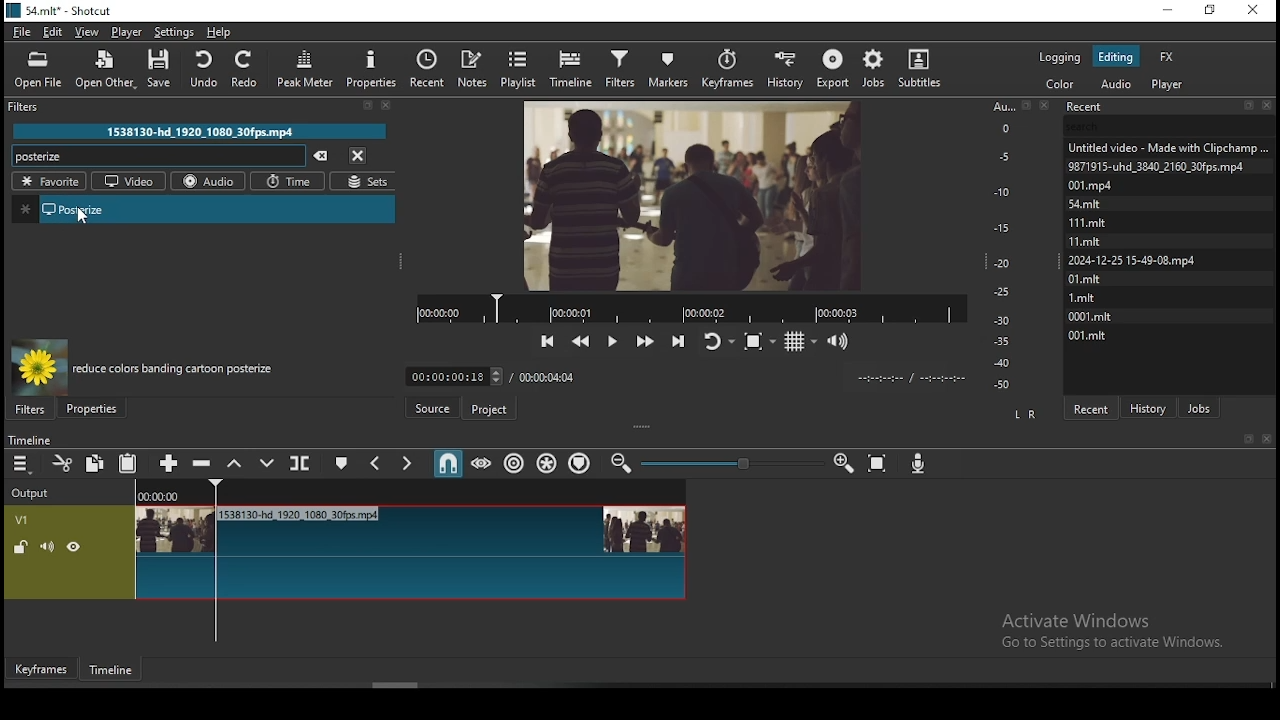 This screenshot has height=720, width=1280. I want to click on video preview, so click(685, 197).